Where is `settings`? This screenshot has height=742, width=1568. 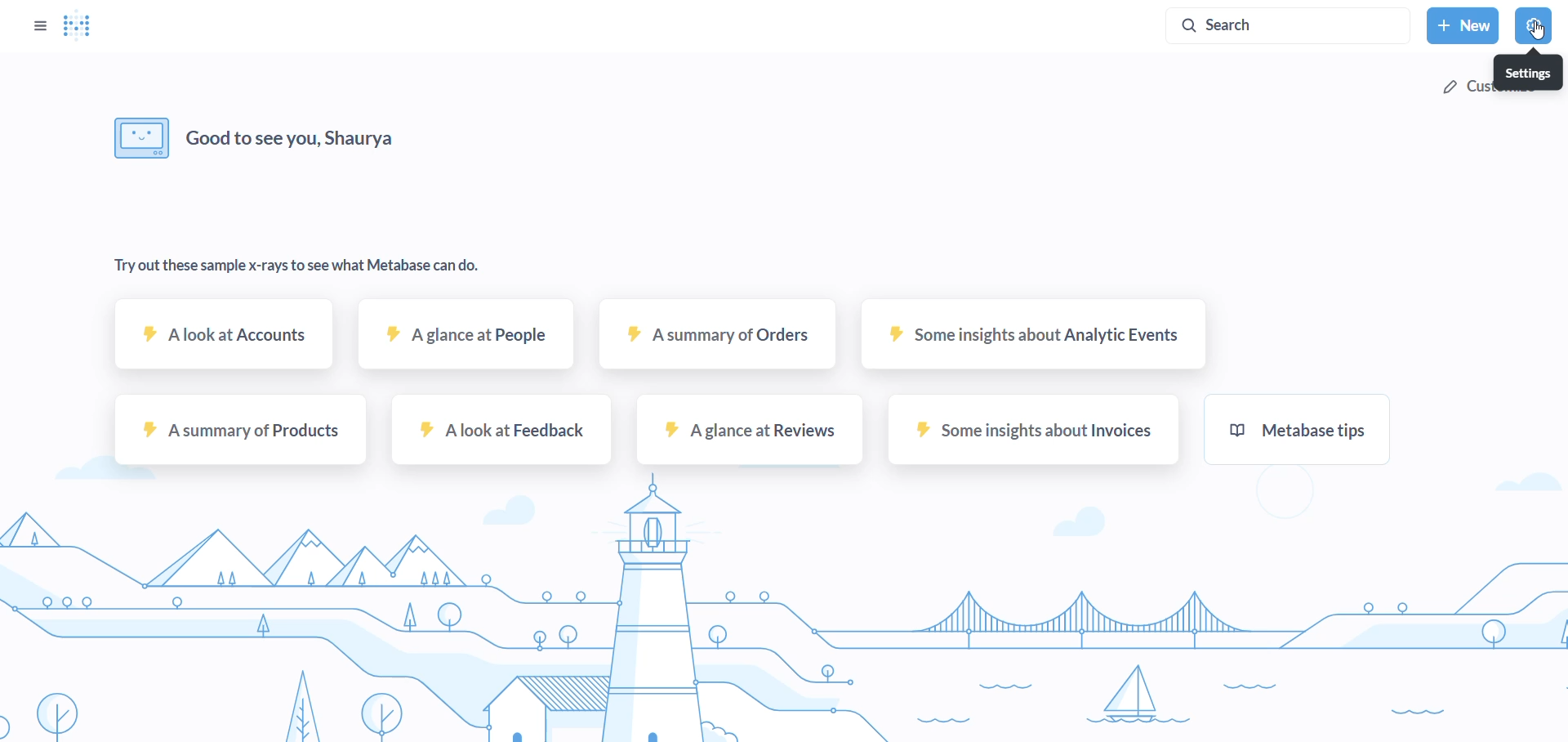
settings is located at coordinates (1536, 25).